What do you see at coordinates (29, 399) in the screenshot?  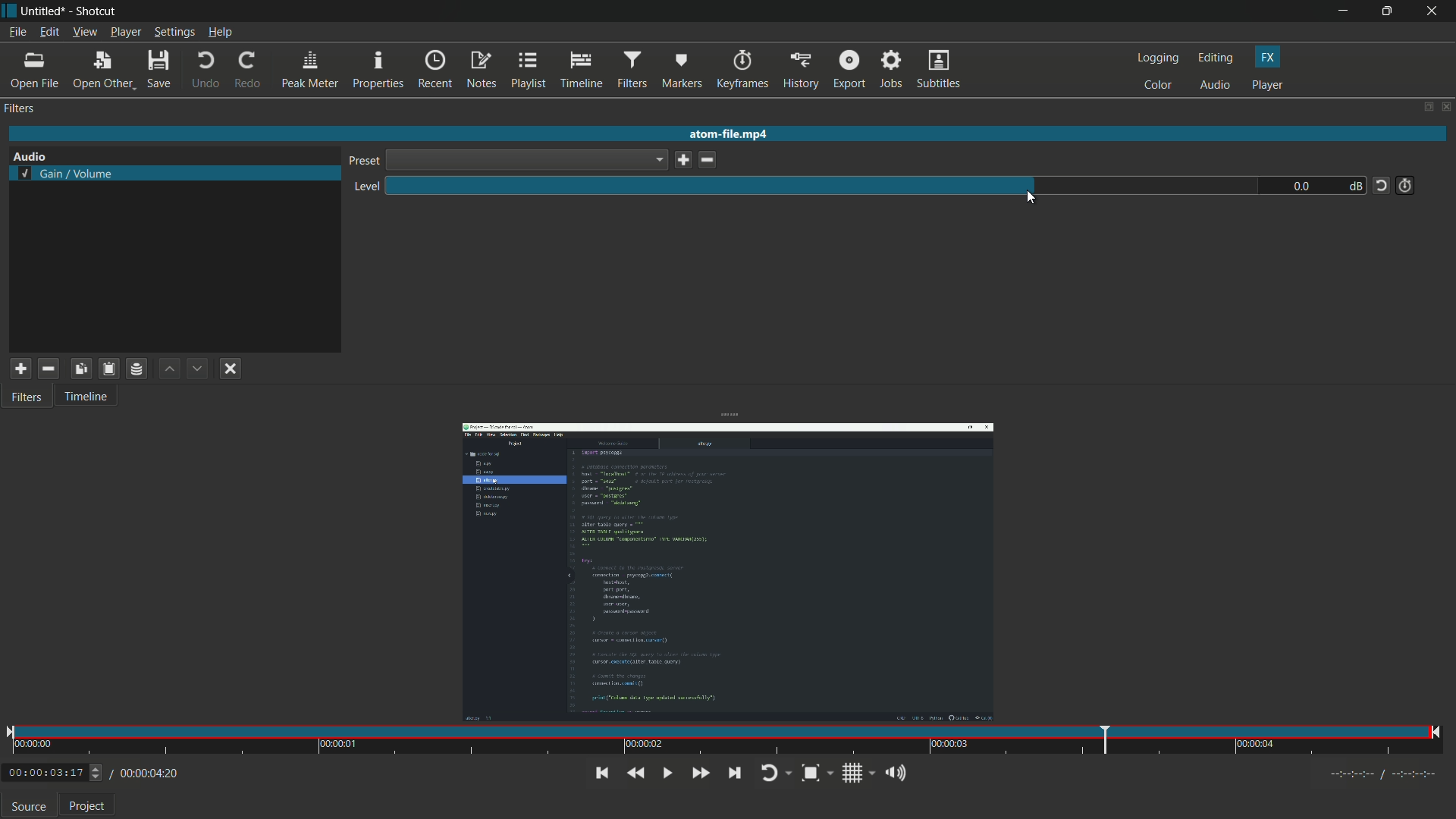 I see `Filters` at bounding box center [29, 399].